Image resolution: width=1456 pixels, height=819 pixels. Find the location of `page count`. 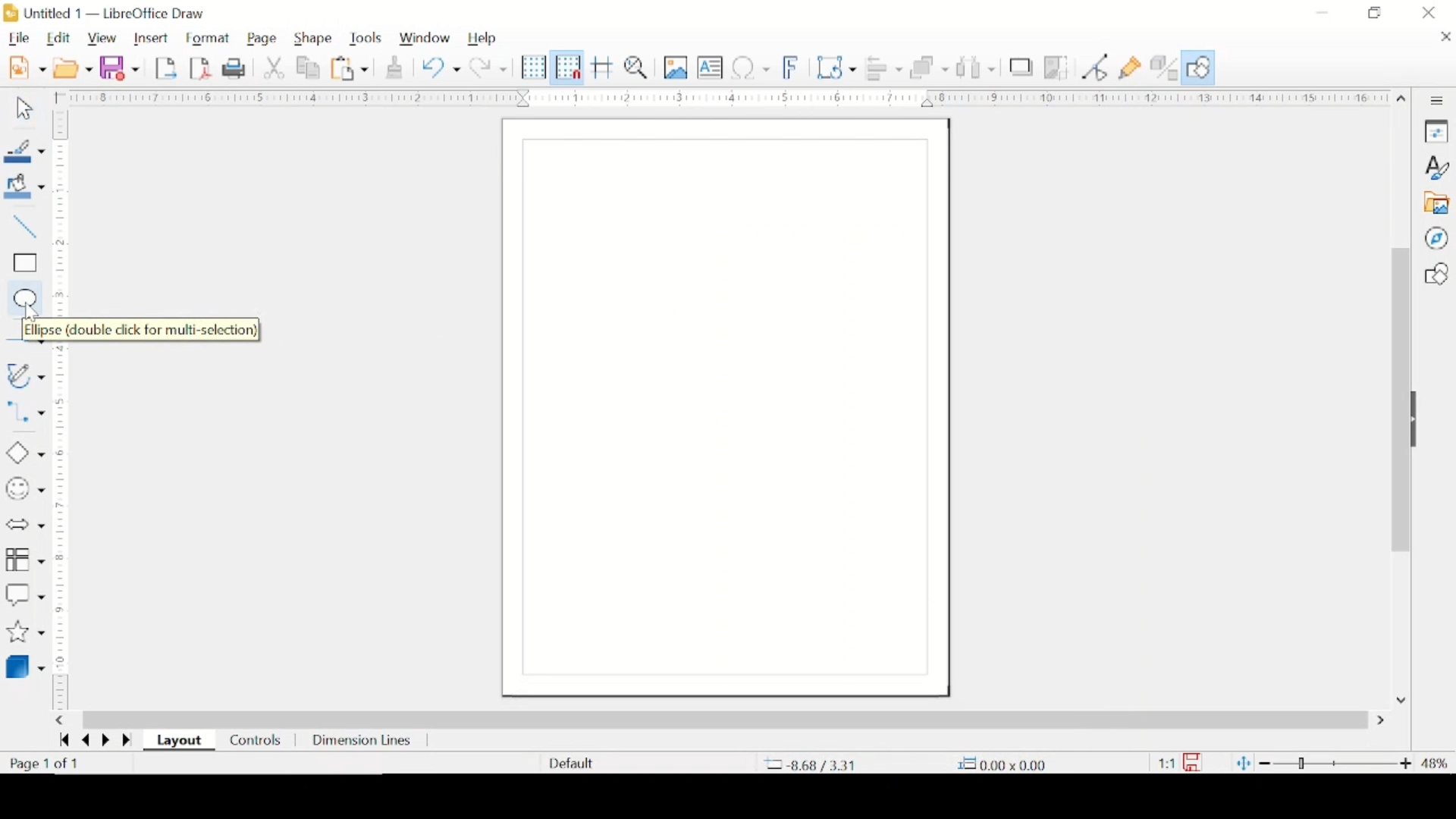

page count is located at coordinates (46, 764).